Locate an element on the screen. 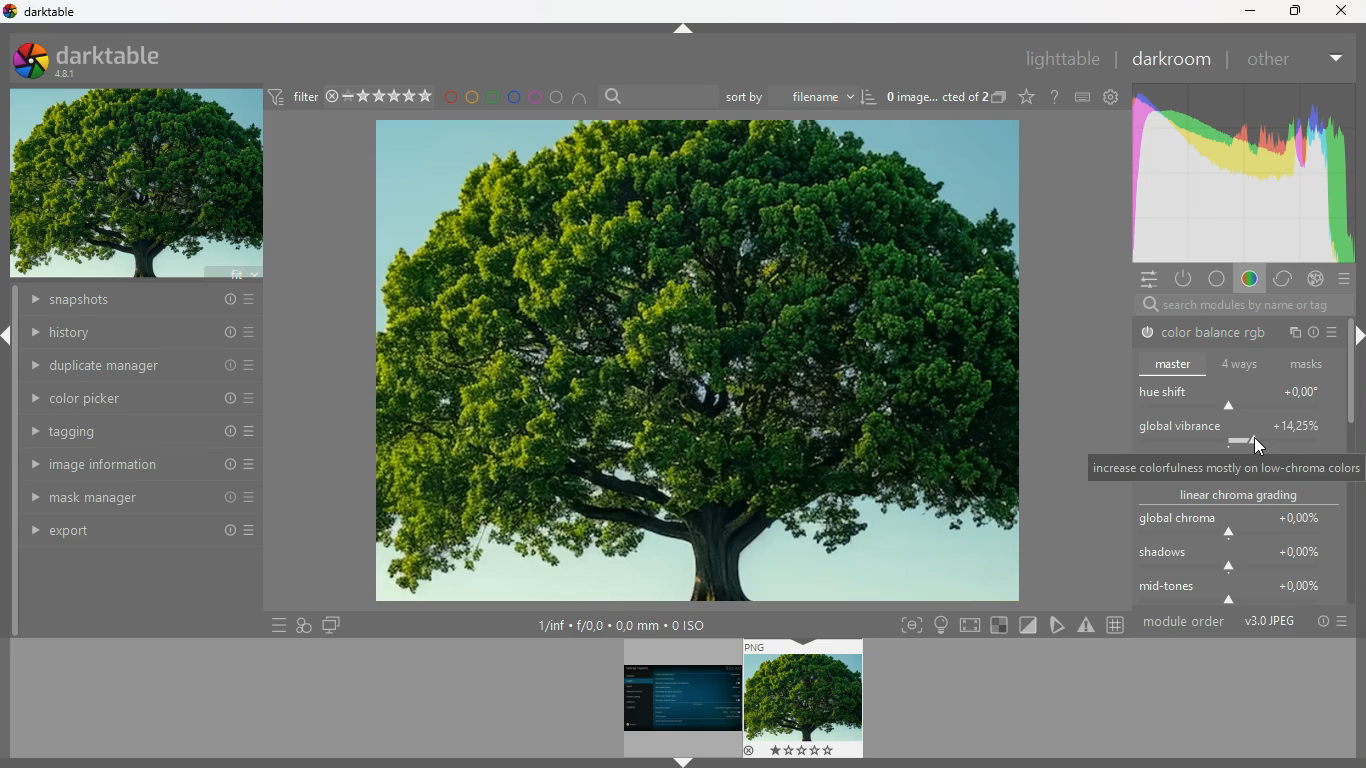 This screenshot has height=768, width=1366. history is located at coordinates (143, 333).